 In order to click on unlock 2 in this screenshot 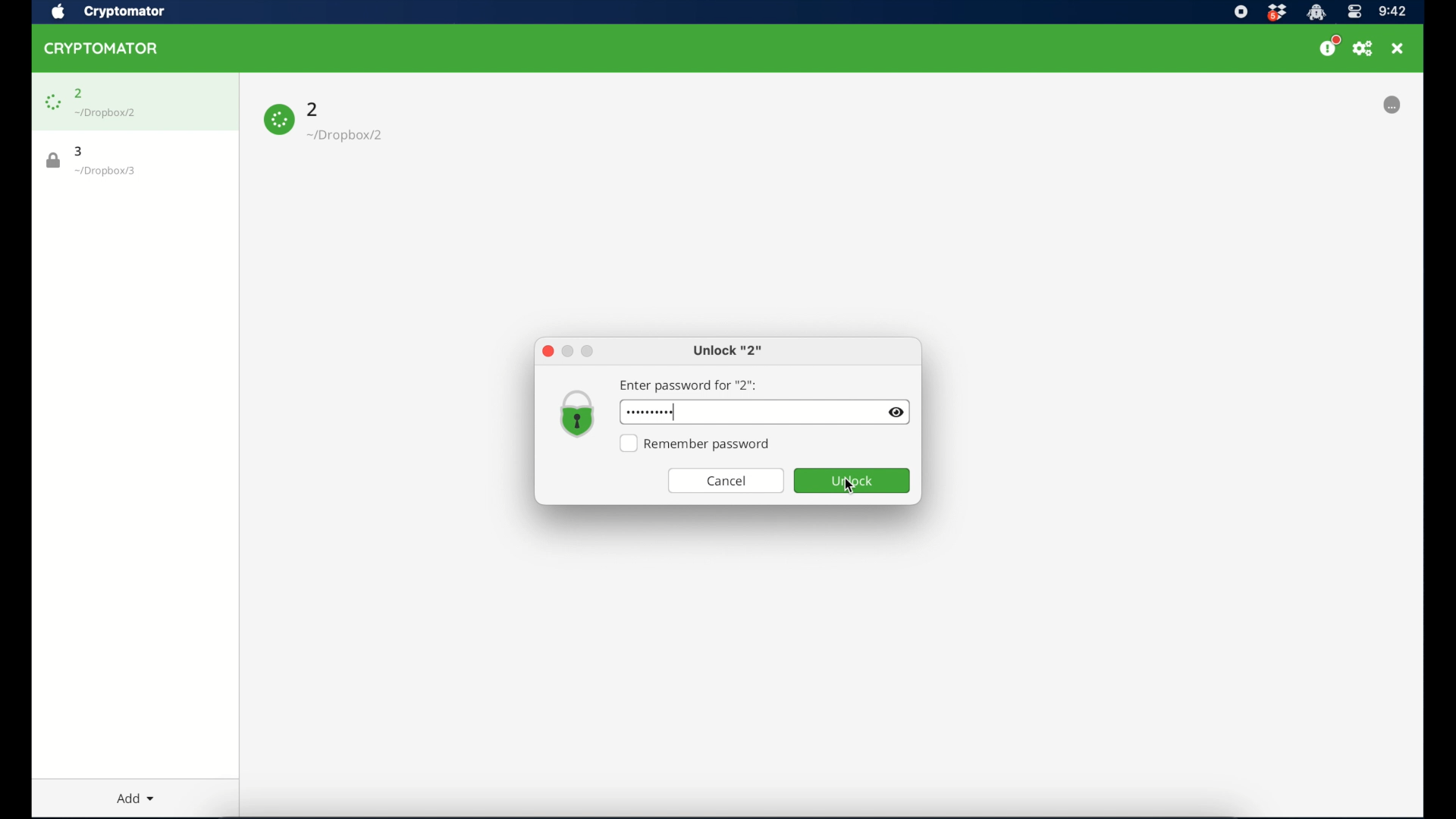, I will do `click(728, 352)`.